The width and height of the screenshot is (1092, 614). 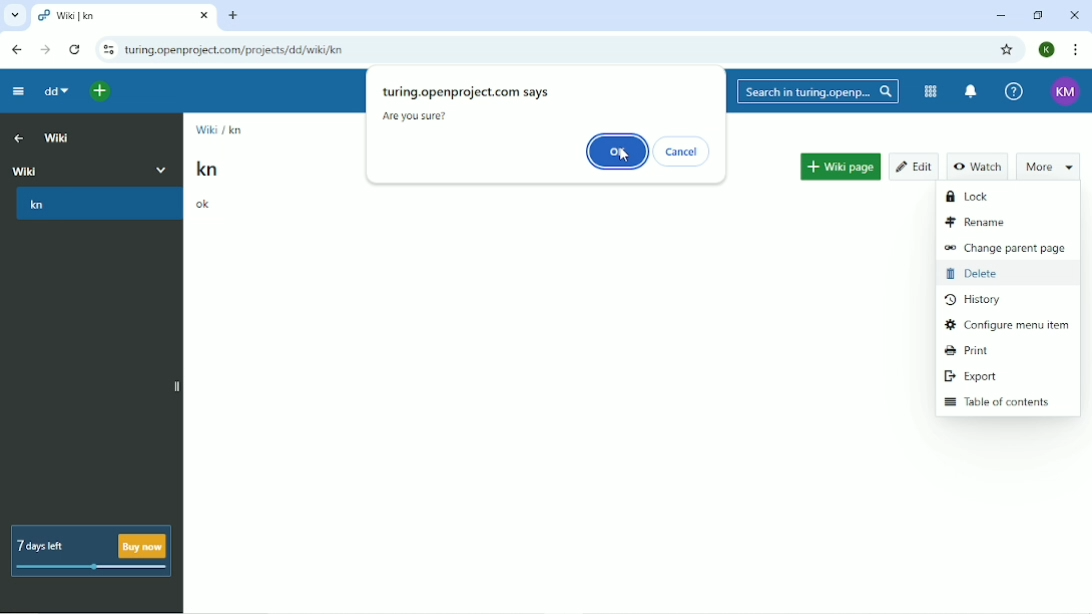 I want to click on Print, so click(x=970, y=350).